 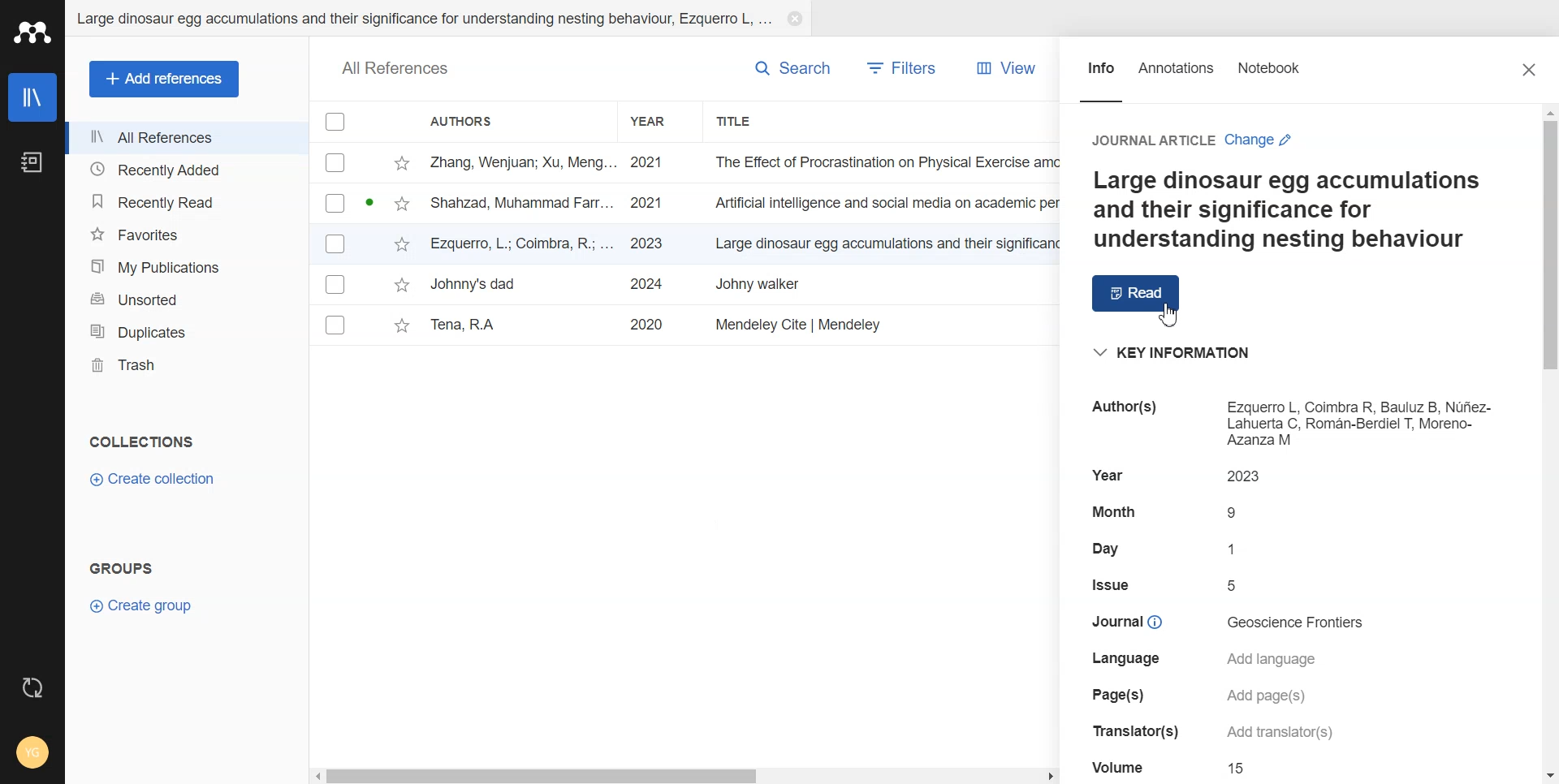 What do you see at coordinates (1111, 584) in the screenshot?
I see `text` at bounding box center [1111, 584].